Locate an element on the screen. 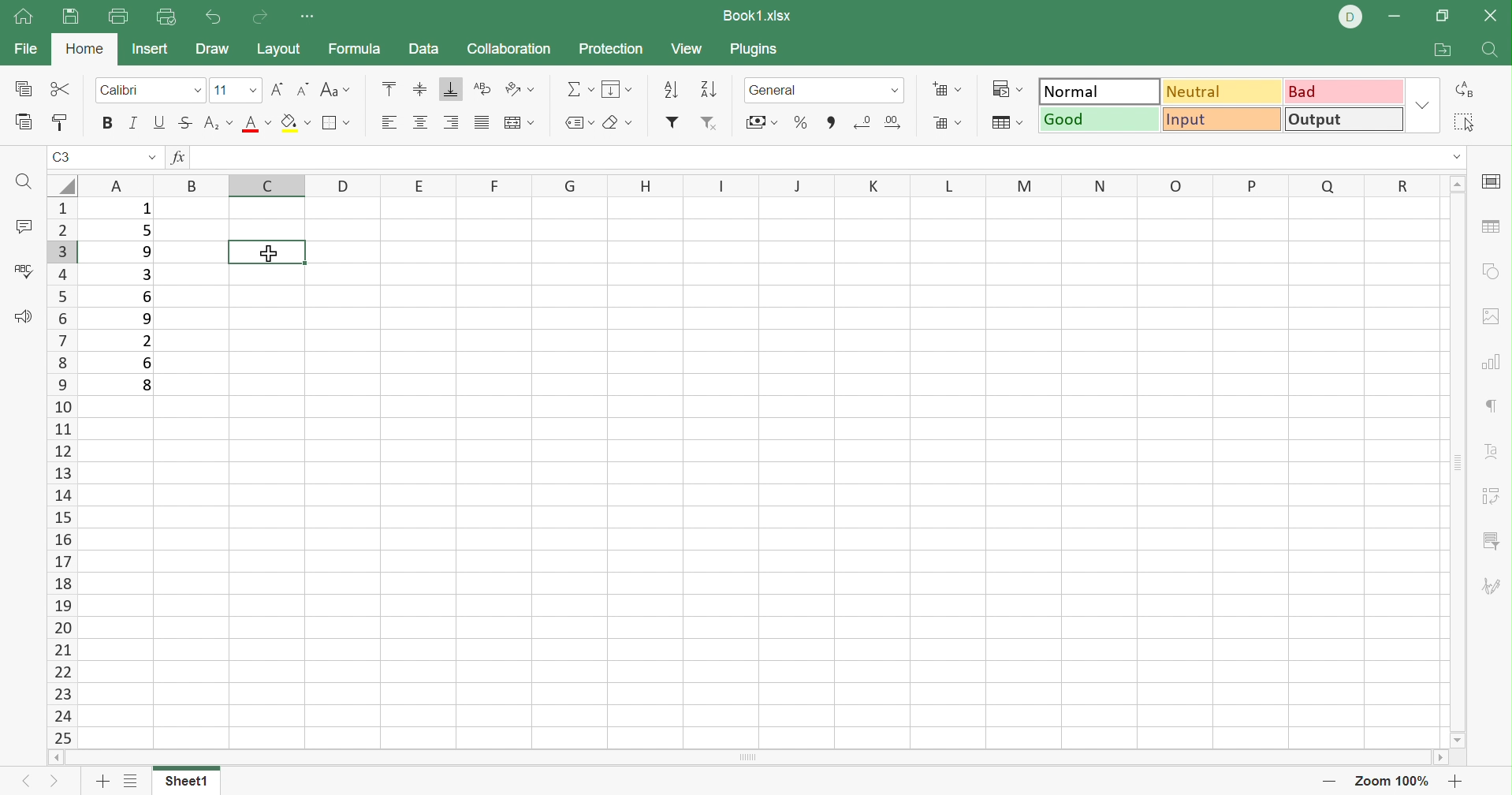  Slicer Settings is located at coordinates (1492, 543).